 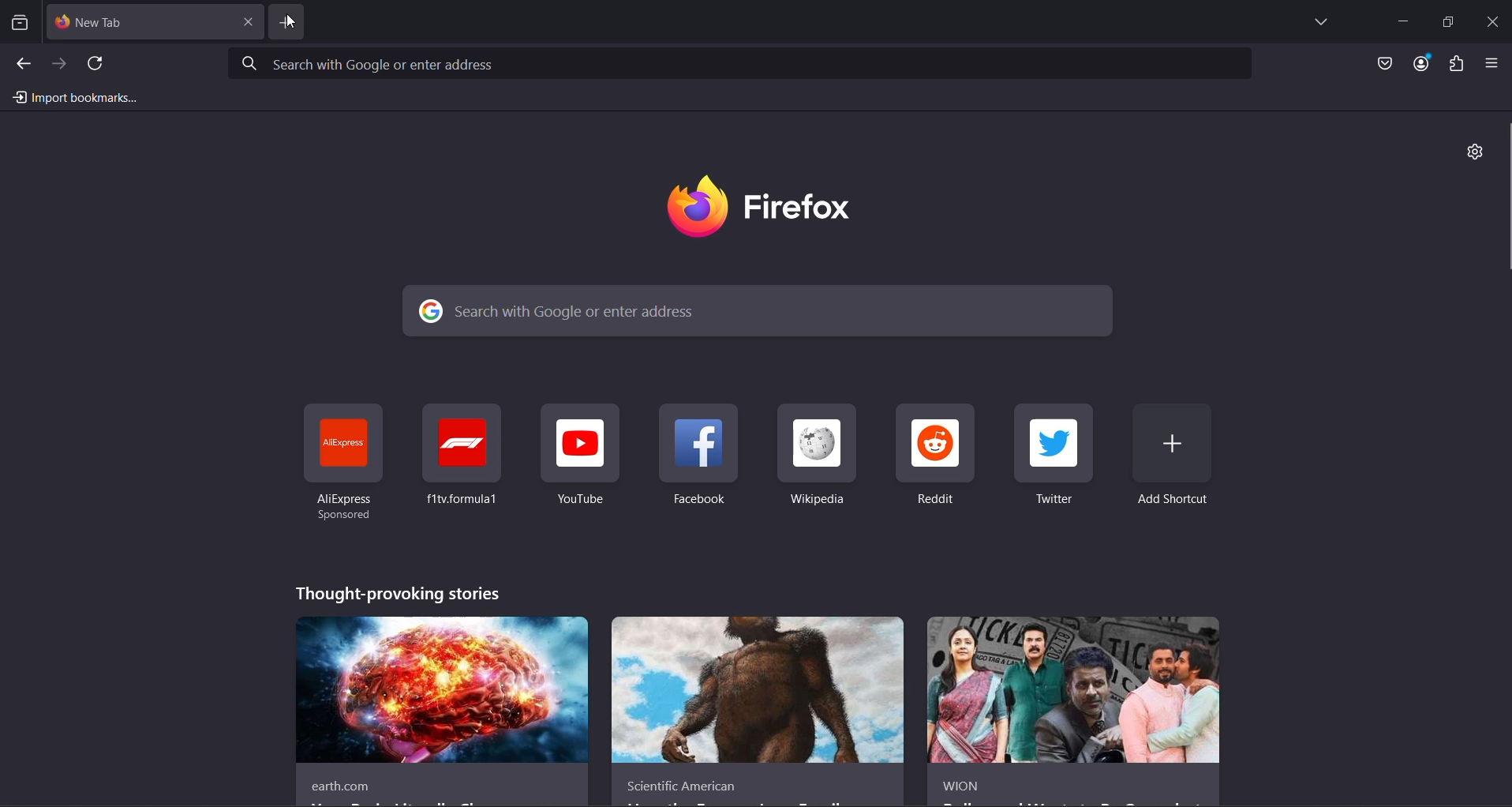 I want to click on logo, so click(x=767, y=208).